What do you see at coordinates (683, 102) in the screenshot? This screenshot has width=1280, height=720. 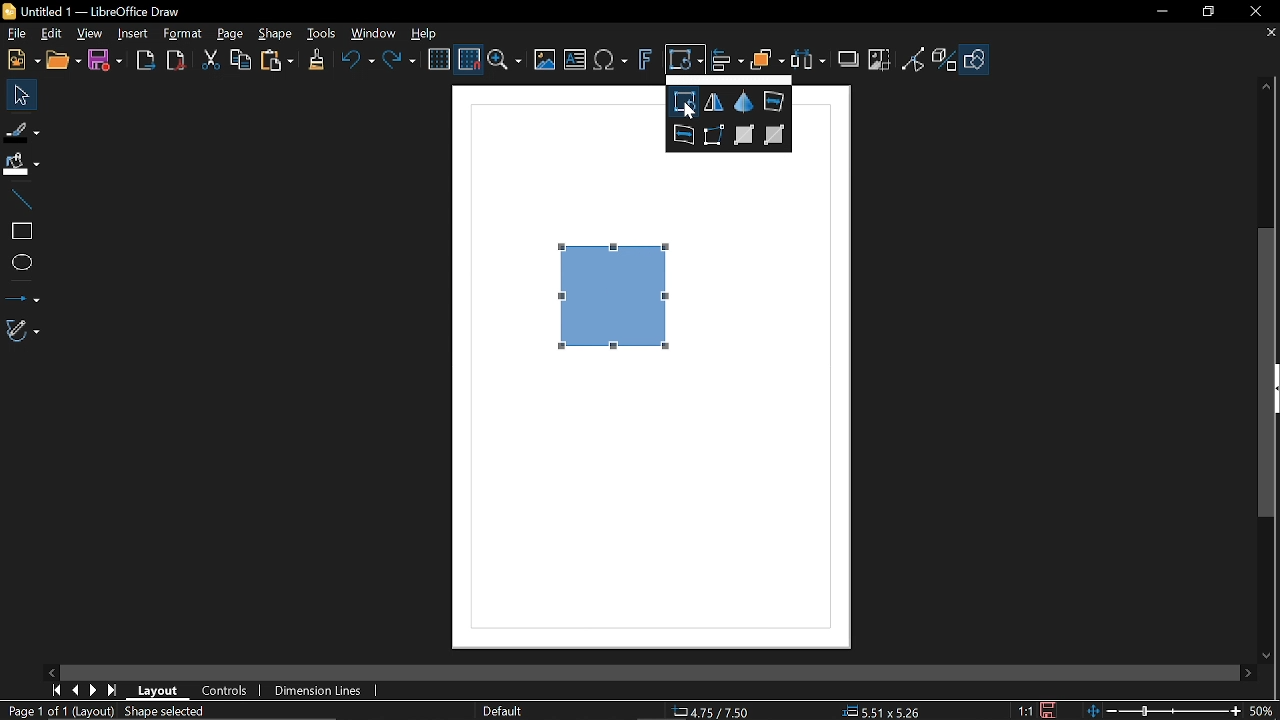 I see `ROtations` at bounding box center [683, 102].